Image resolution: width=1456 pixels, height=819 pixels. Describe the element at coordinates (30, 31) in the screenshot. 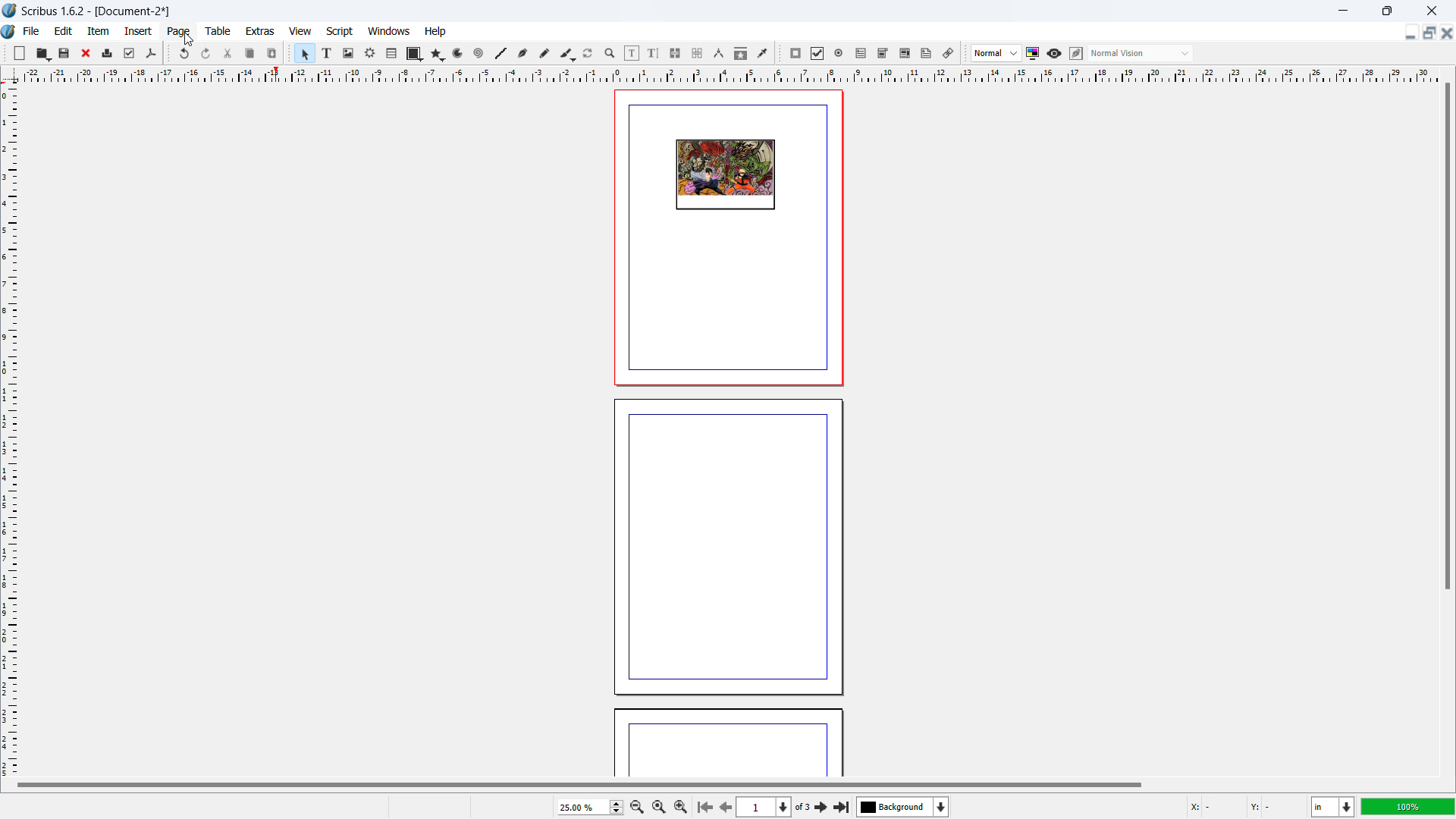

I see `file` at that location.